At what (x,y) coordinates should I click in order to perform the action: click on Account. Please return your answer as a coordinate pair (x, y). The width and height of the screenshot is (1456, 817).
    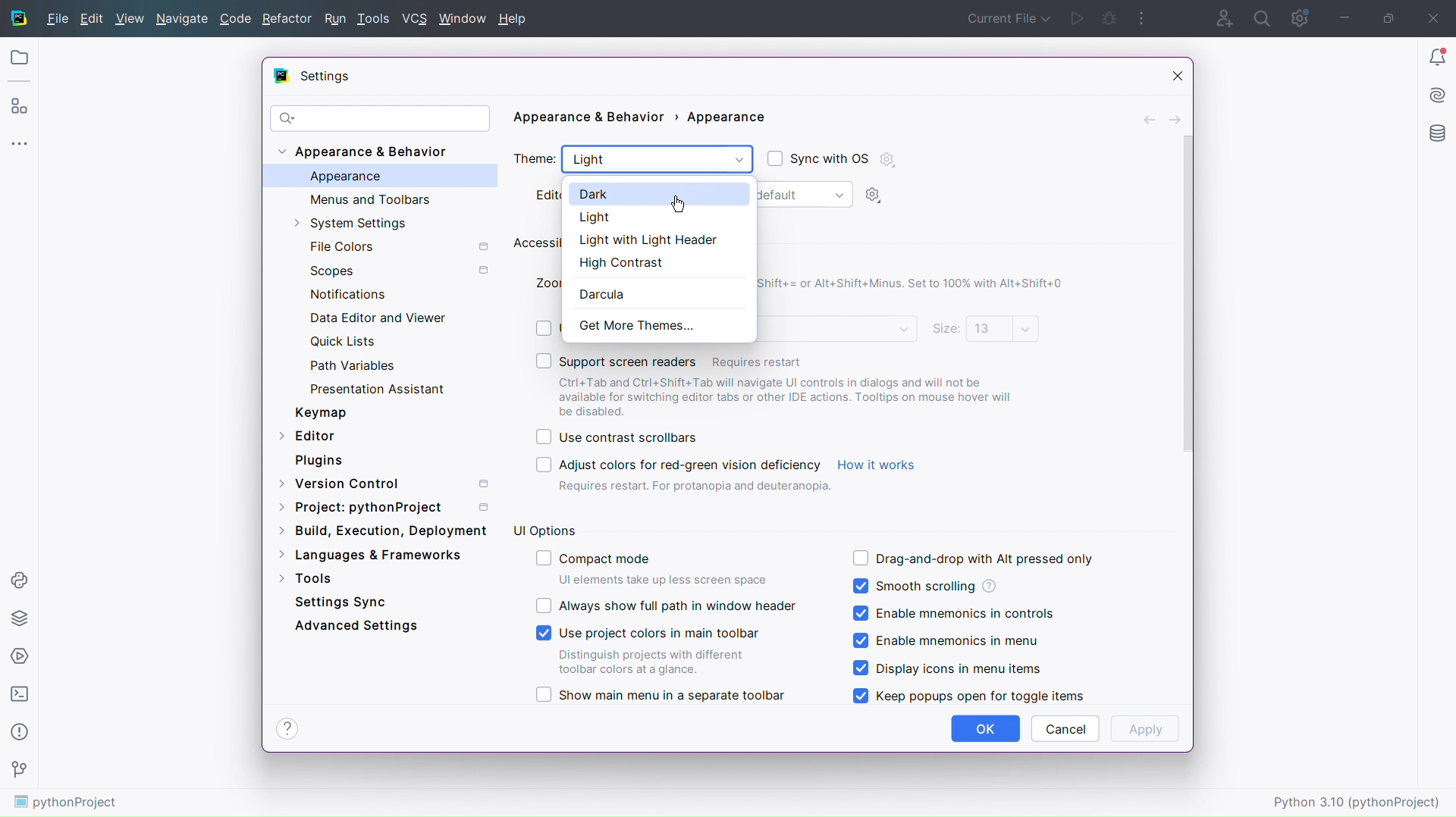
    Looking at the image, I should click on (1219, 17).